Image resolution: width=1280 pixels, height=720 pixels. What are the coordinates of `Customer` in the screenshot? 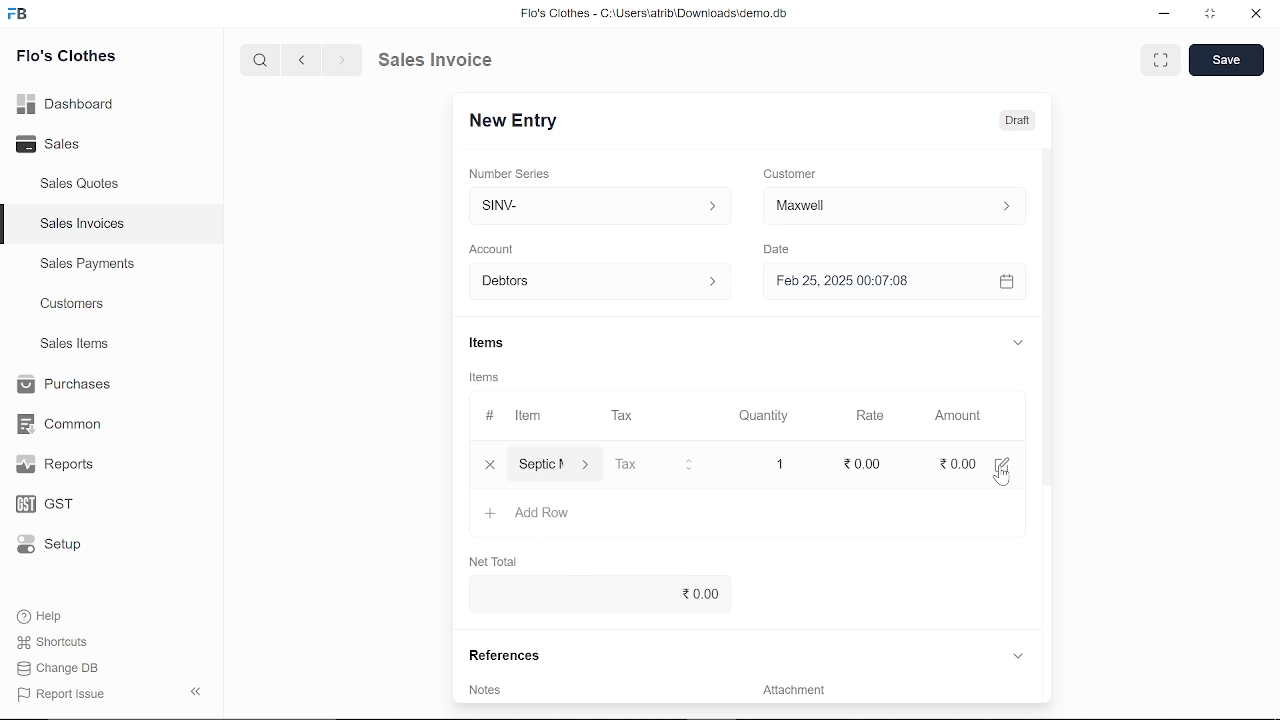 It's located at (790, 173).